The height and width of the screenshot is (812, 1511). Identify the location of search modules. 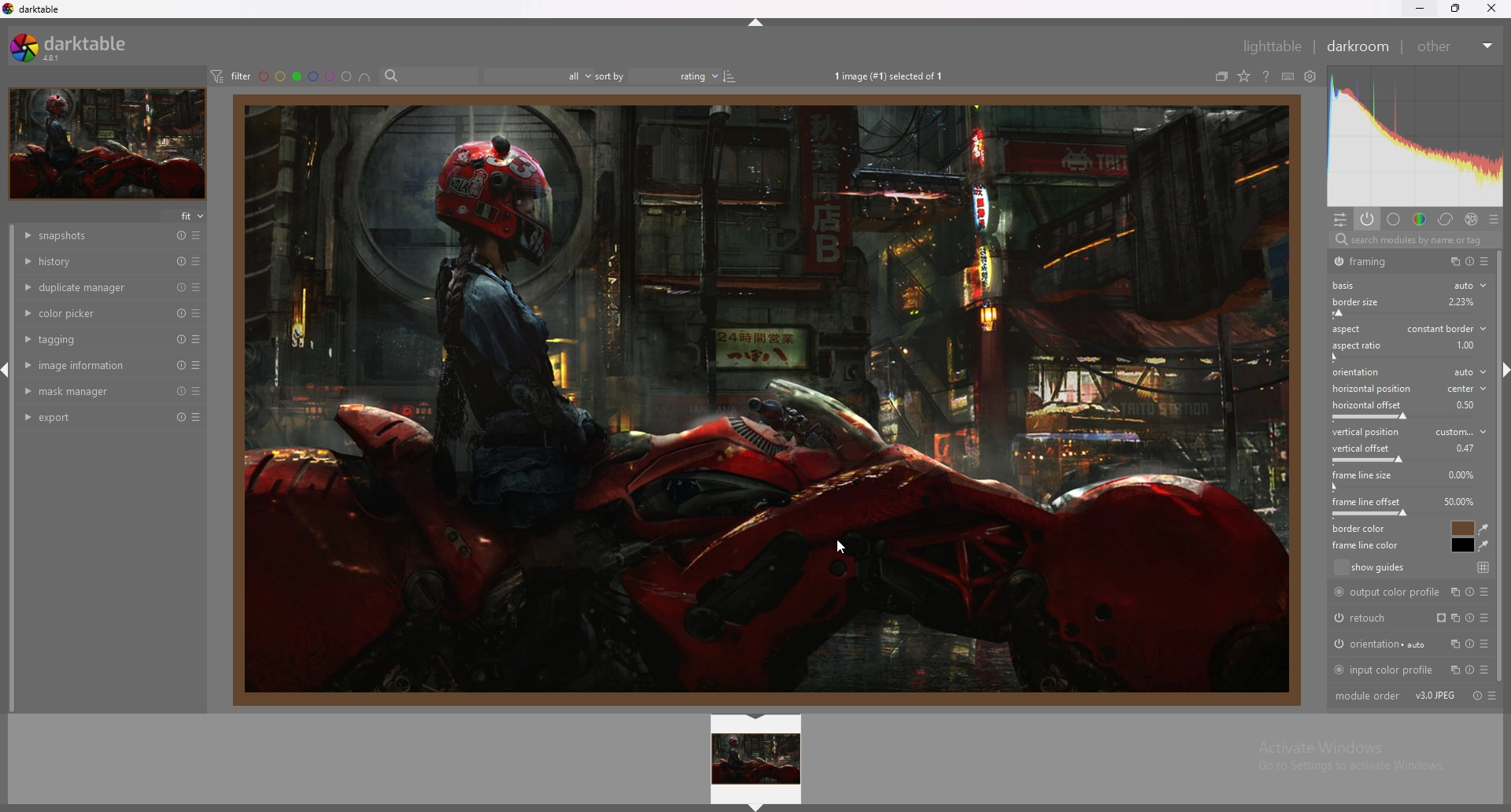
(1416, 242).